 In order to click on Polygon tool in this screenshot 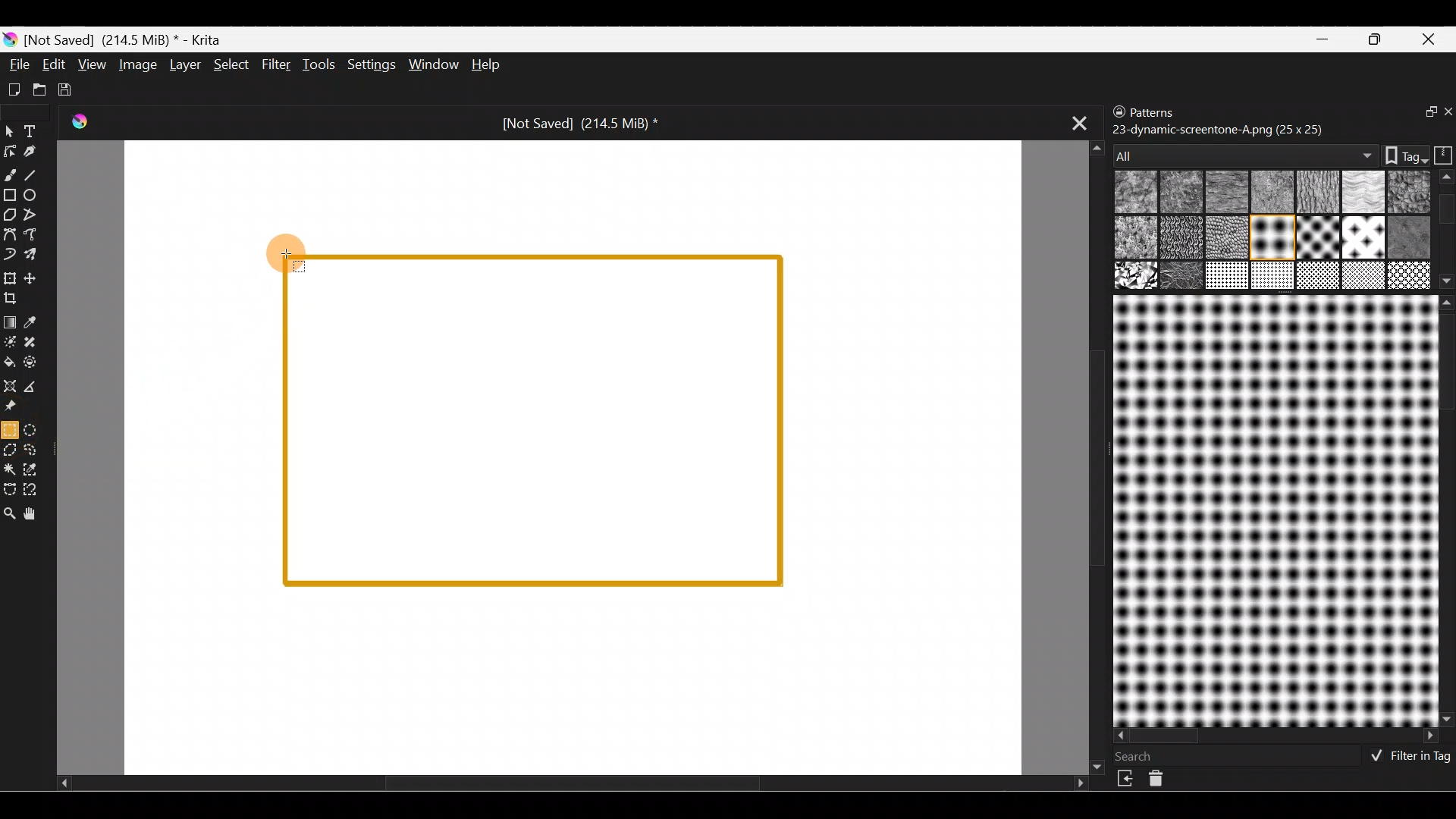, I will do `click(9, 212)`.